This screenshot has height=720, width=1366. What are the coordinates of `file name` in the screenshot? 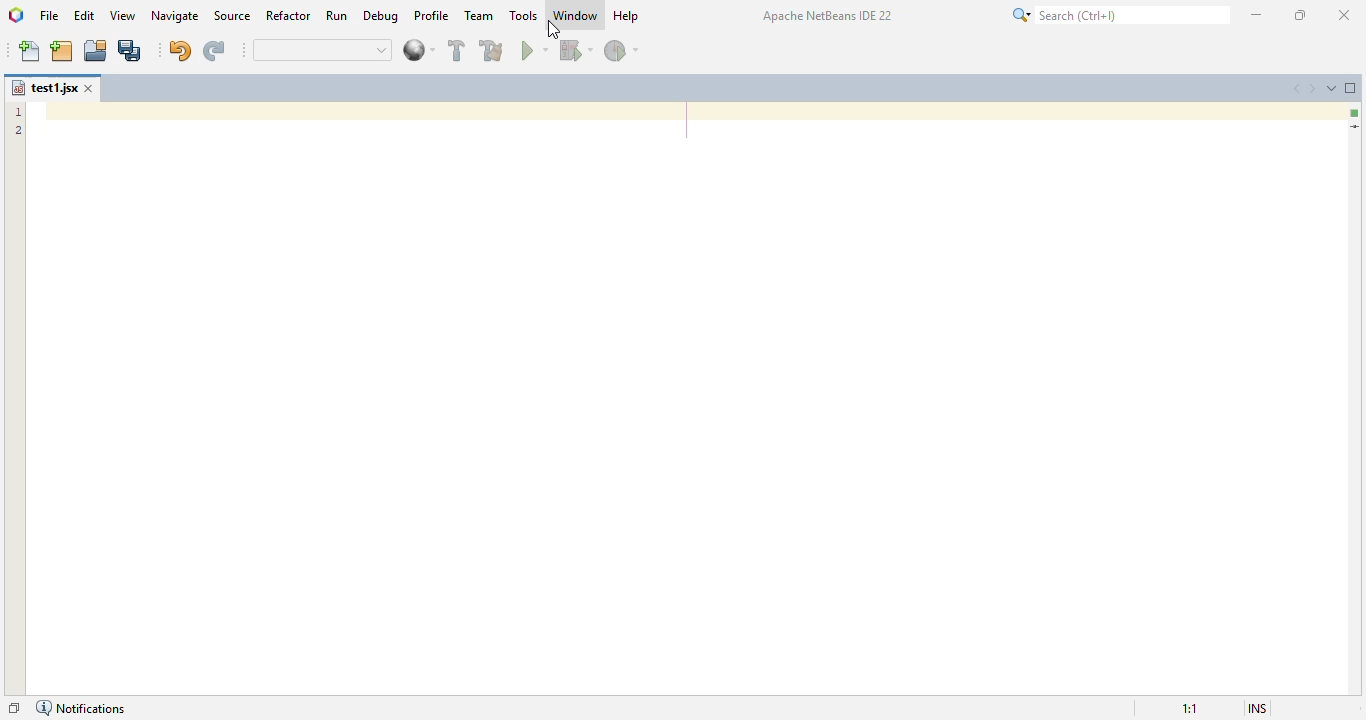 It's located at (44, 87).